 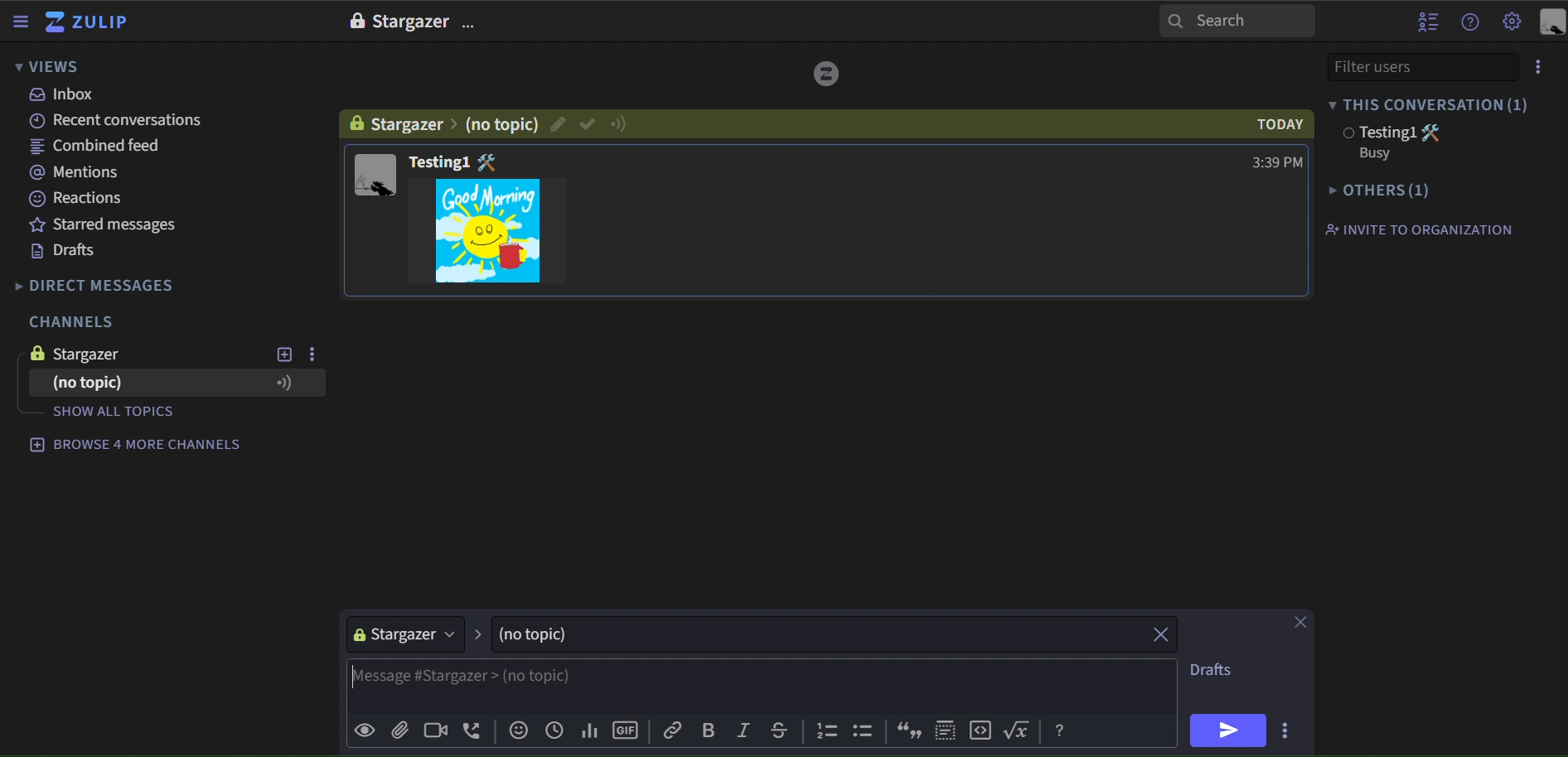 What do you see at coordinates (815, 634) in the screenshot?
I see `(no topic)` at bounding box center [815, 634].